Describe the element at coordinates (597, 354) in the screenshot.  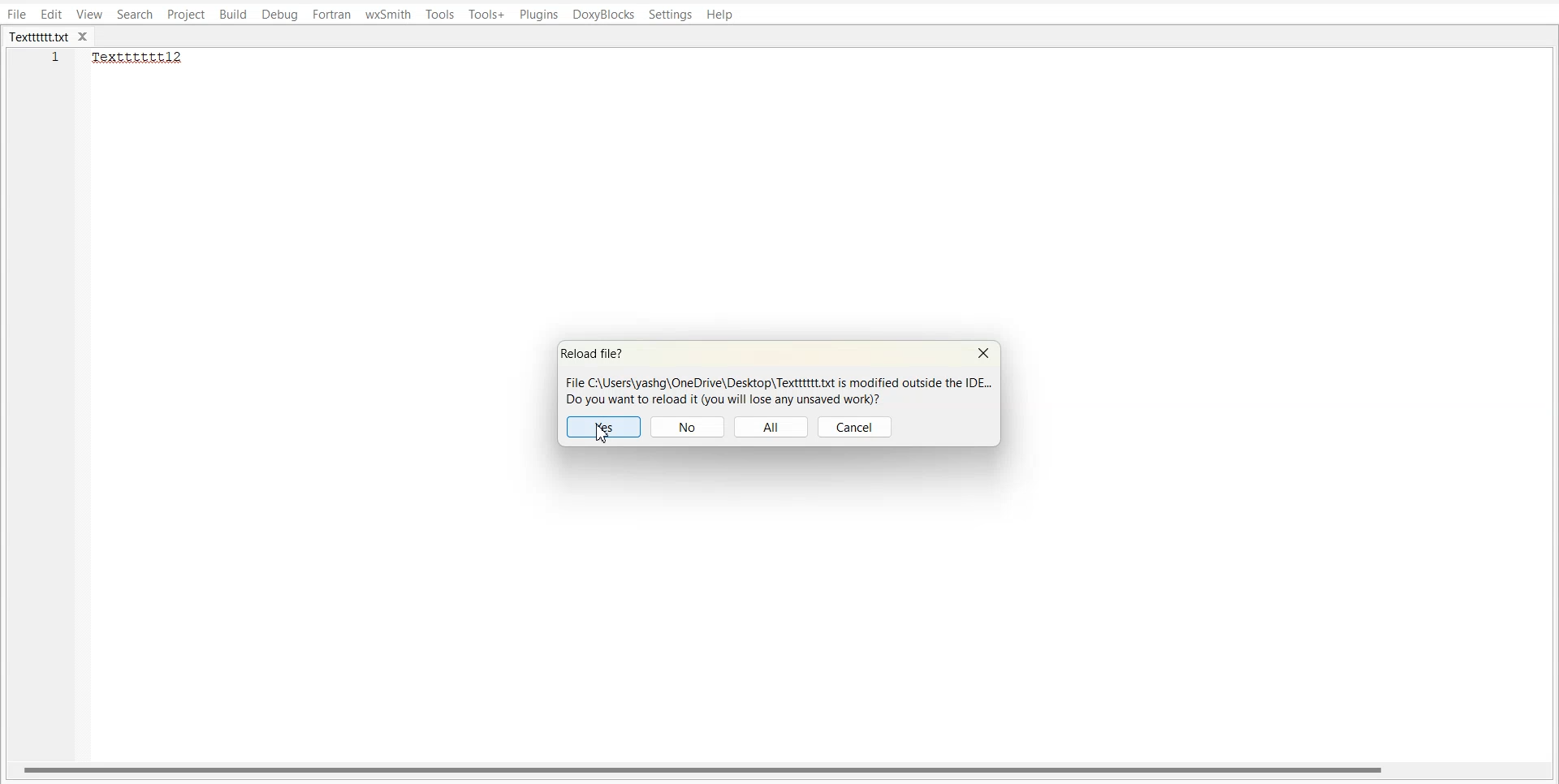
I see `Reload file?` at that location.